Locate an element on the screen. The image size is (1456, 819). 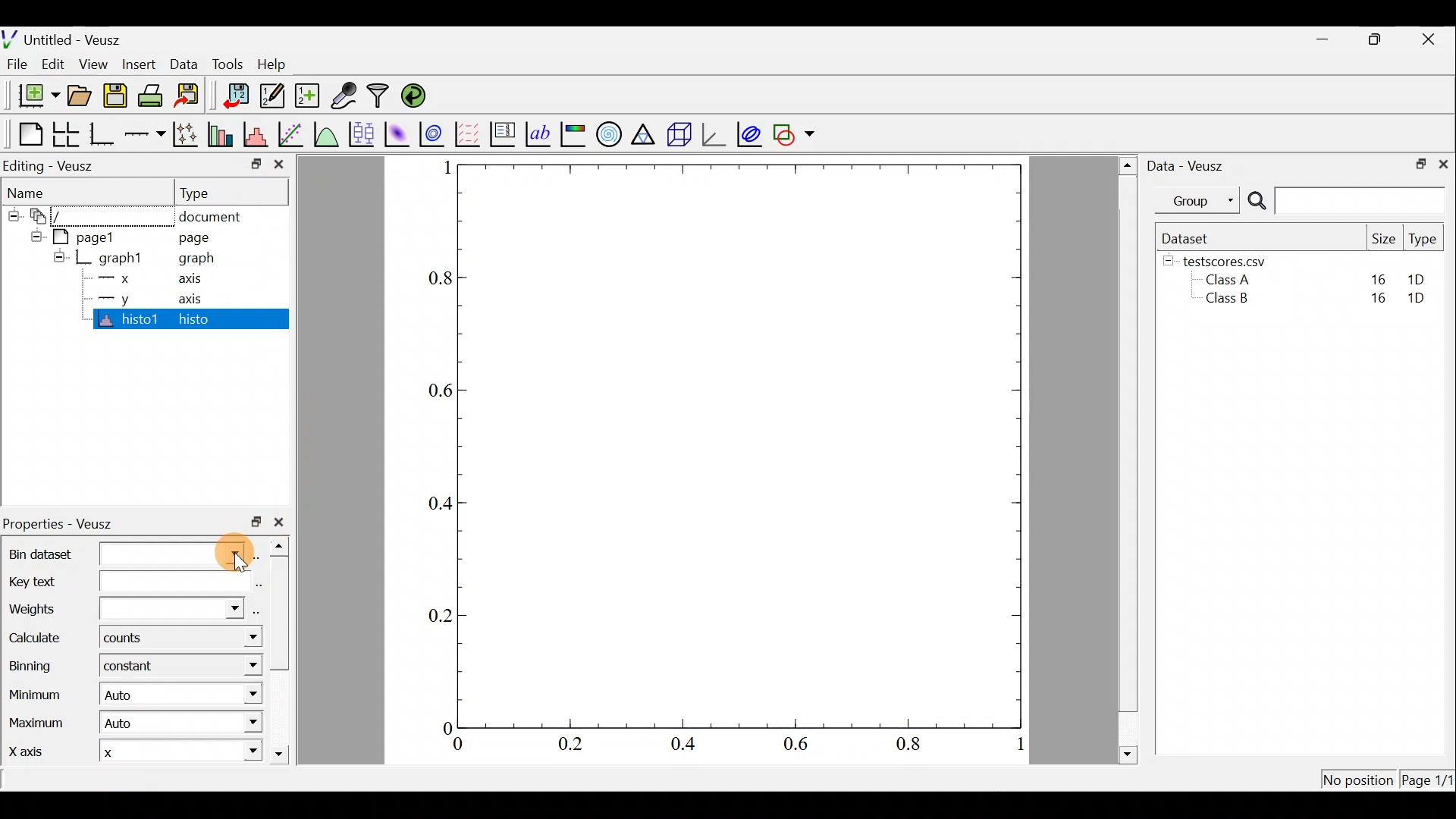
page is located at coordinates (203, 240).